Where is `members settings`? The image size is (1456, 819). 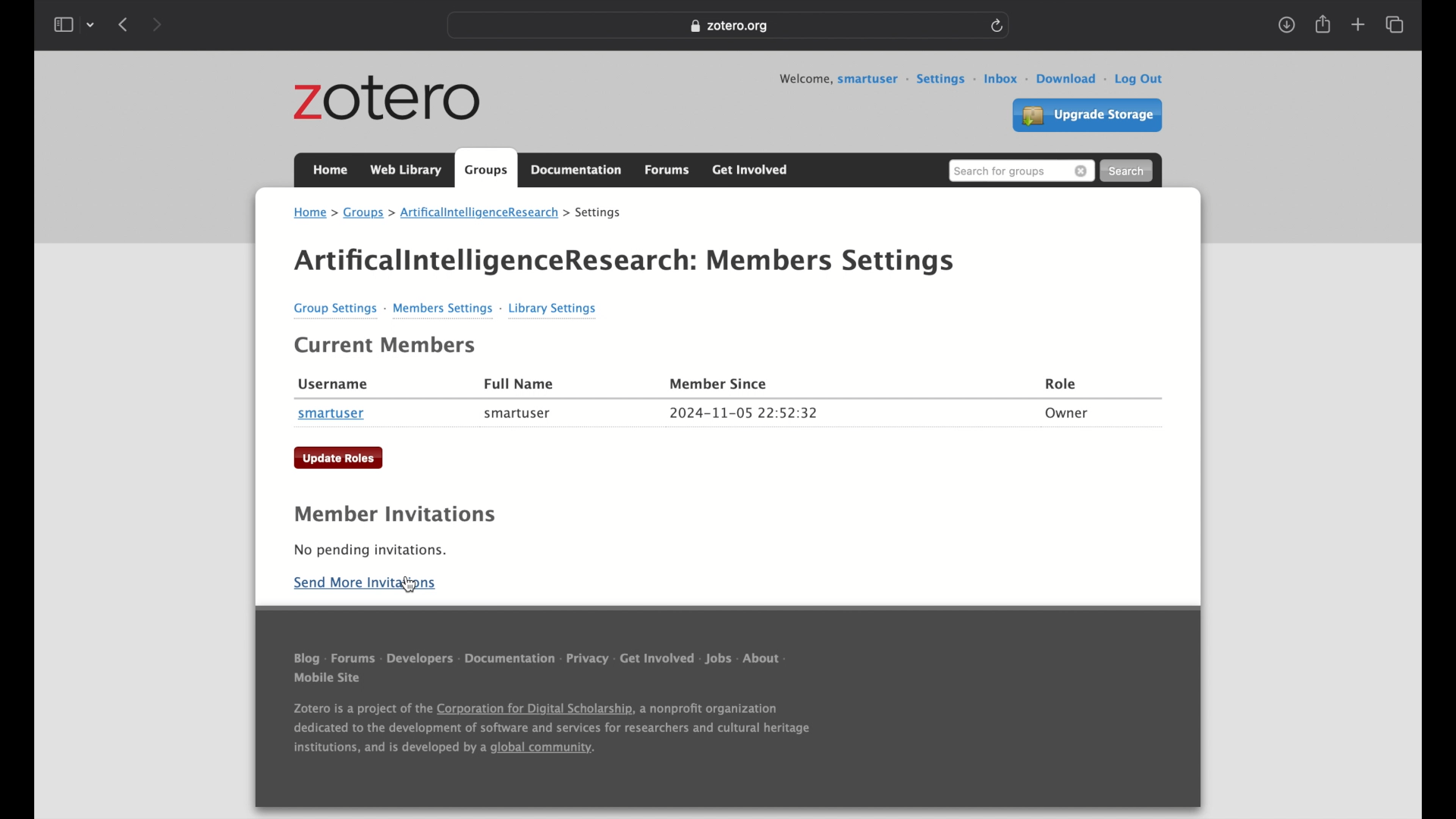 members settings is located at coordinates (833, 263).